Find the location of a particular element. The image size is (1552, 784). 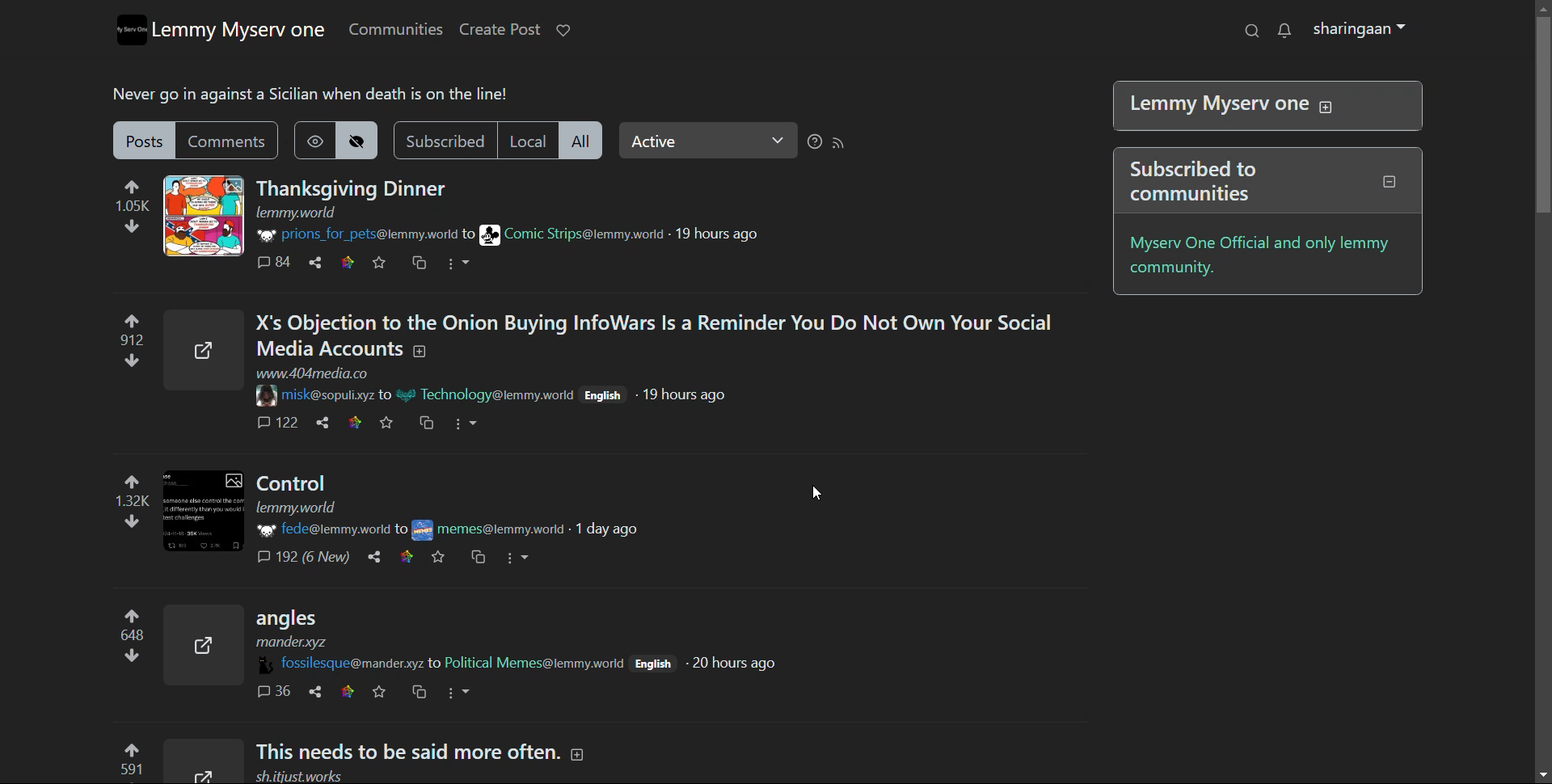

hide posts is located at coordinates (360, 141).